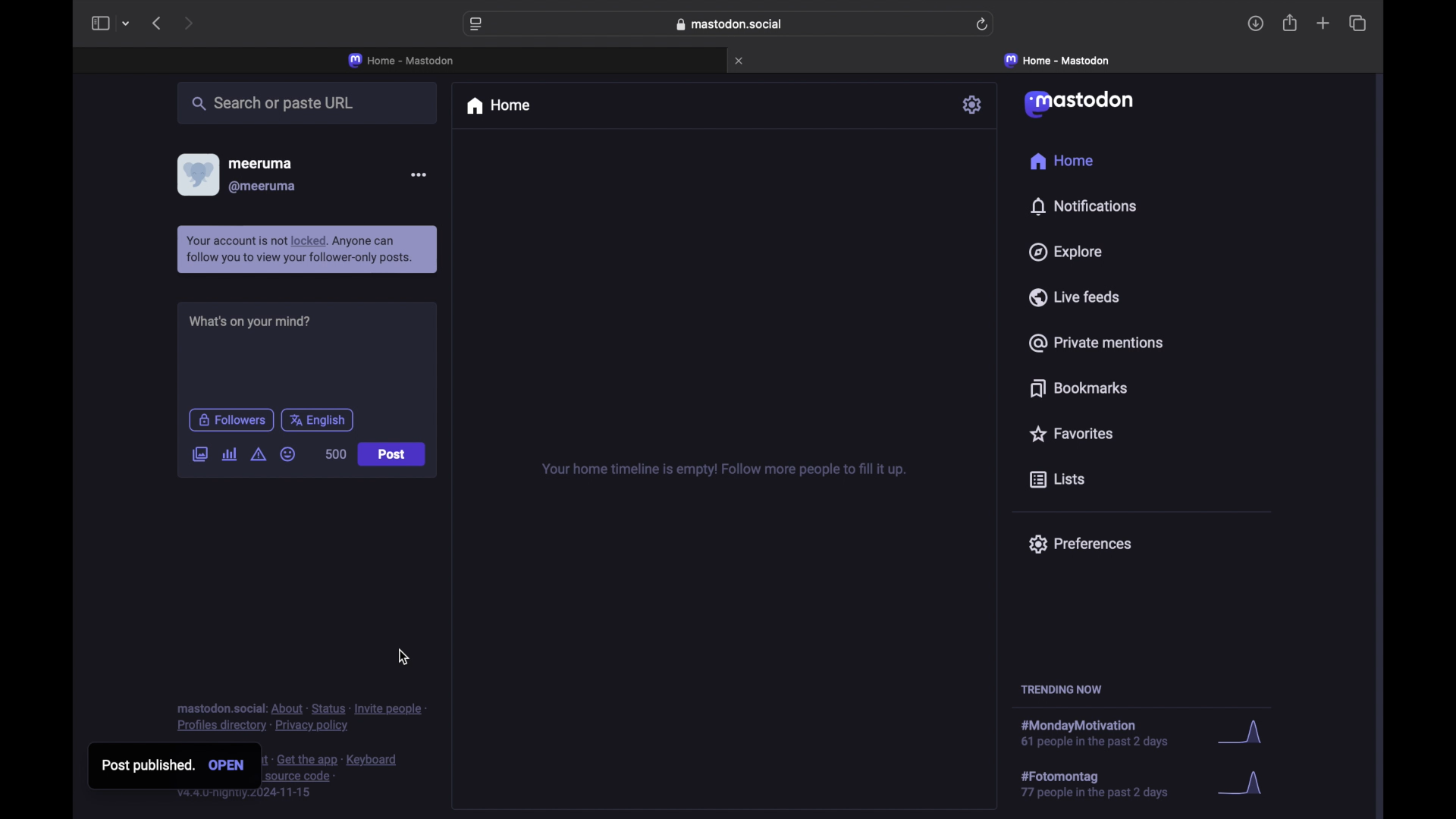 The width and height of the screenshot is (1456, 819). Describe the element at coordinates (730, 24) in the screenshot. I see `web address` at that location.